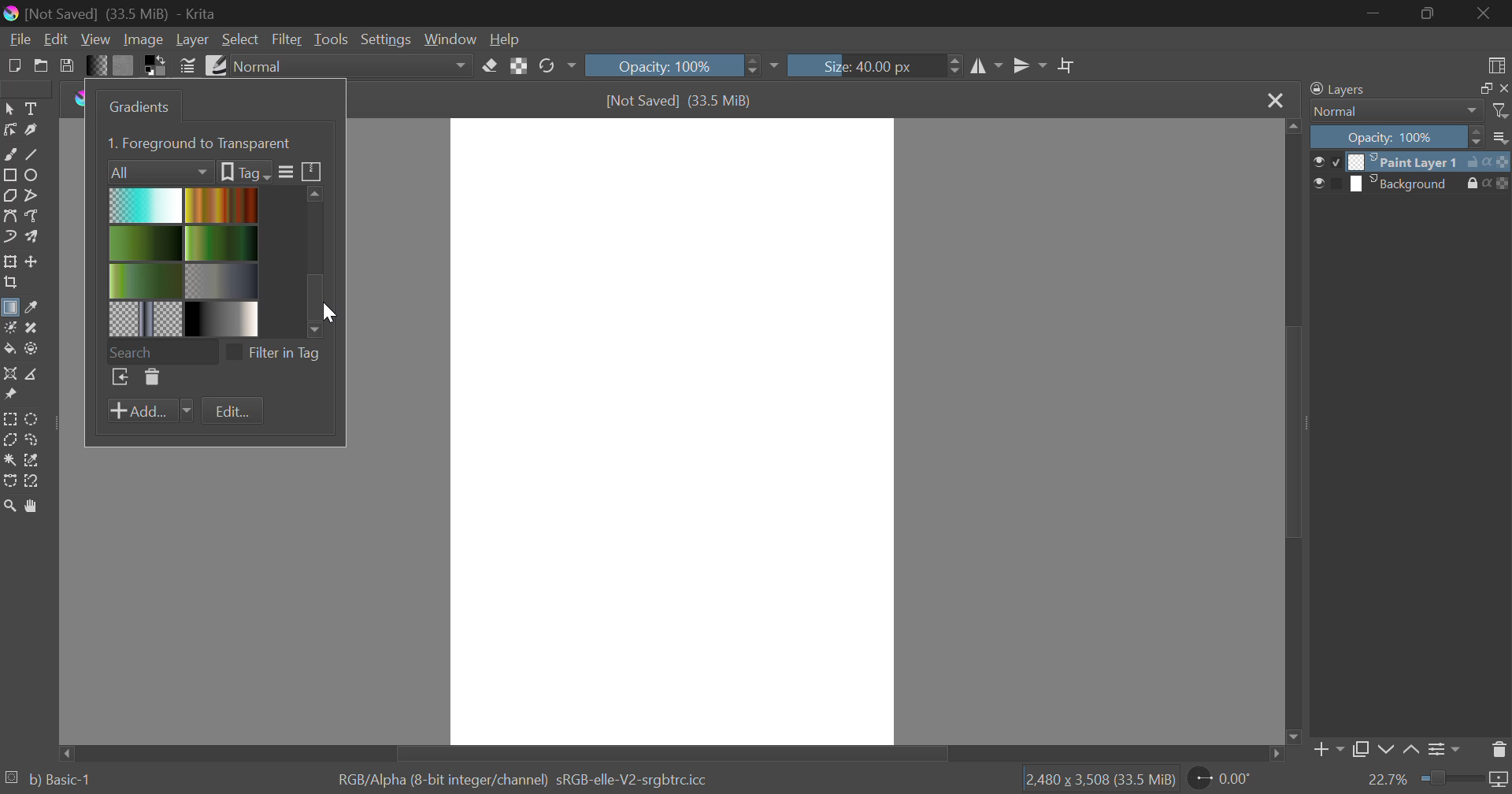  What do you see at coordinates (987, 68) in the screenshot?
I see `Vertical Mirror Flip` at bounding box center [987, 68].